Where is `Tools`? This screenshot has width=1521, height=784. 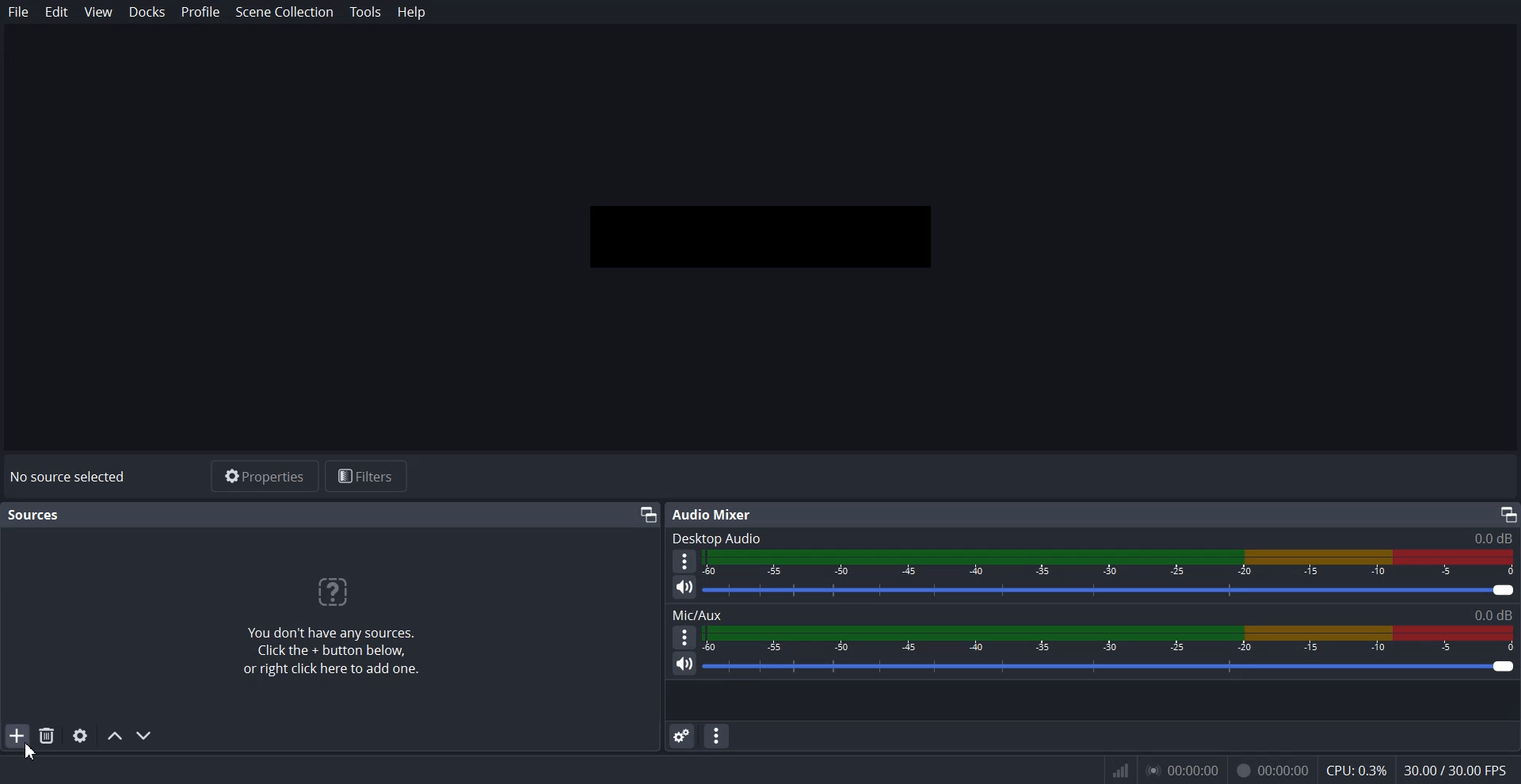 Tools is located at coordinates (367, 13).